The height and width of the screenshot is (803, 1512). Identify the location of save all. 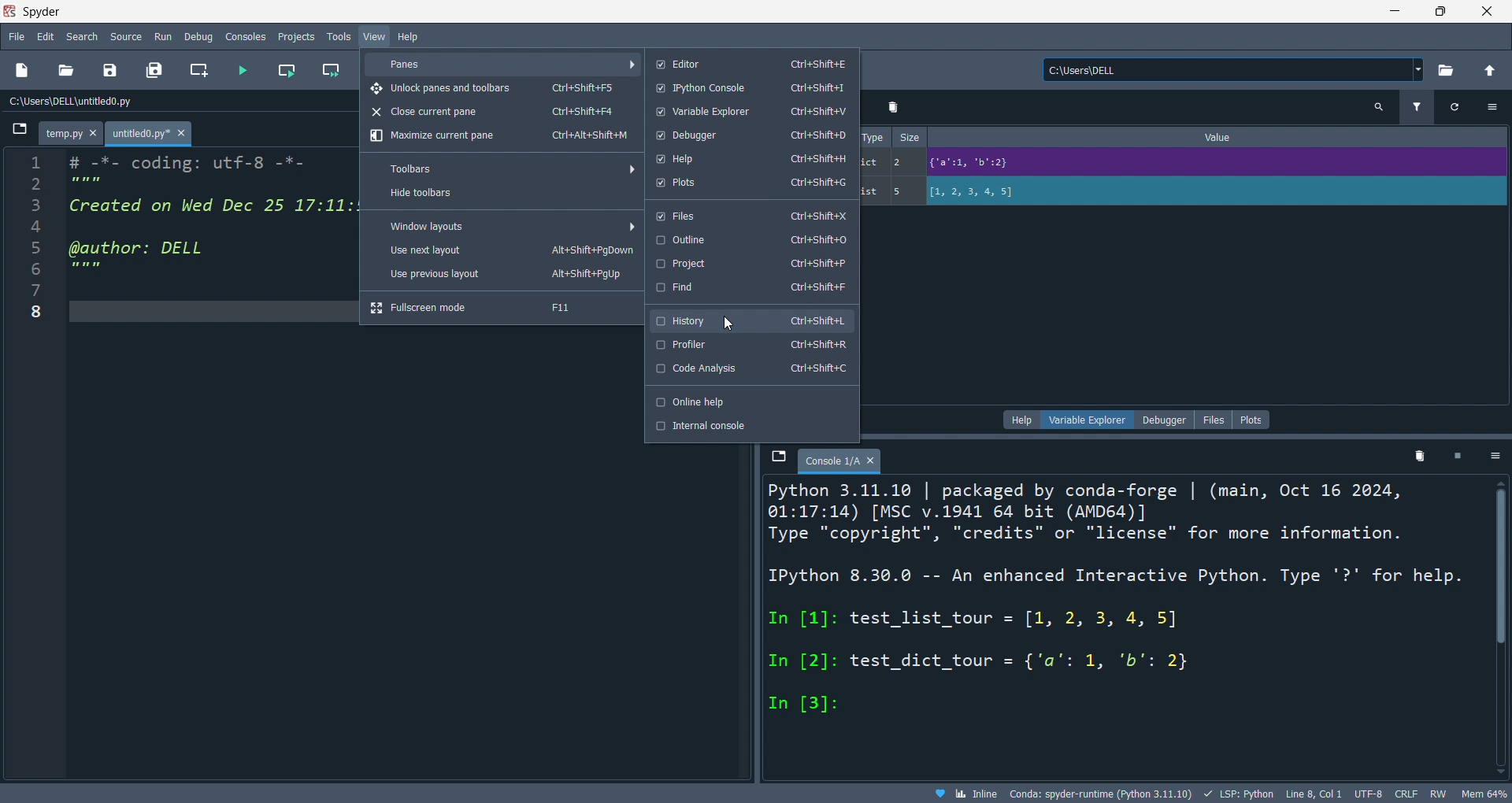
(154, 71).